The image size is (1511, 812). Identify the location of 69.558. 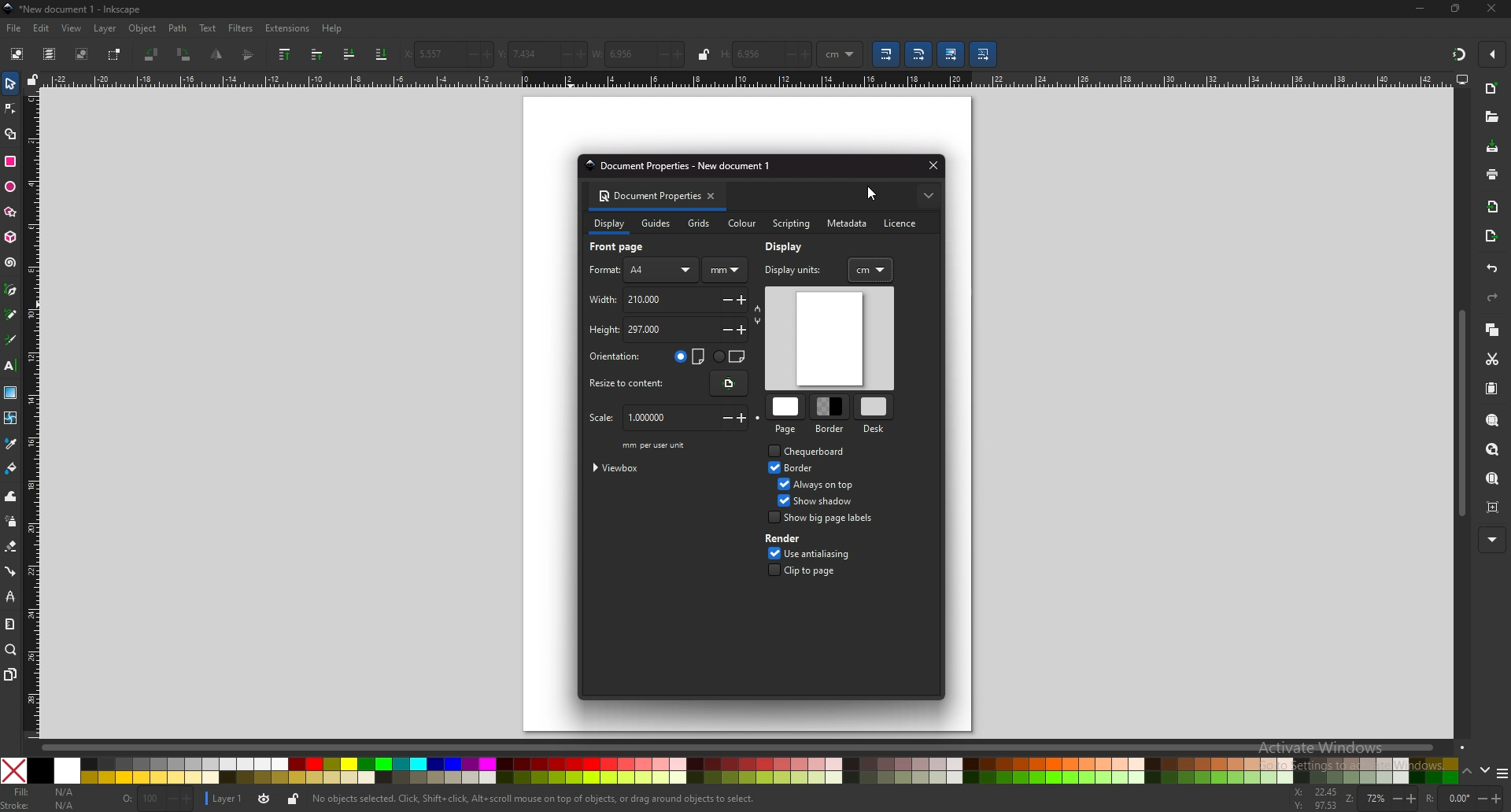
(755, 55).